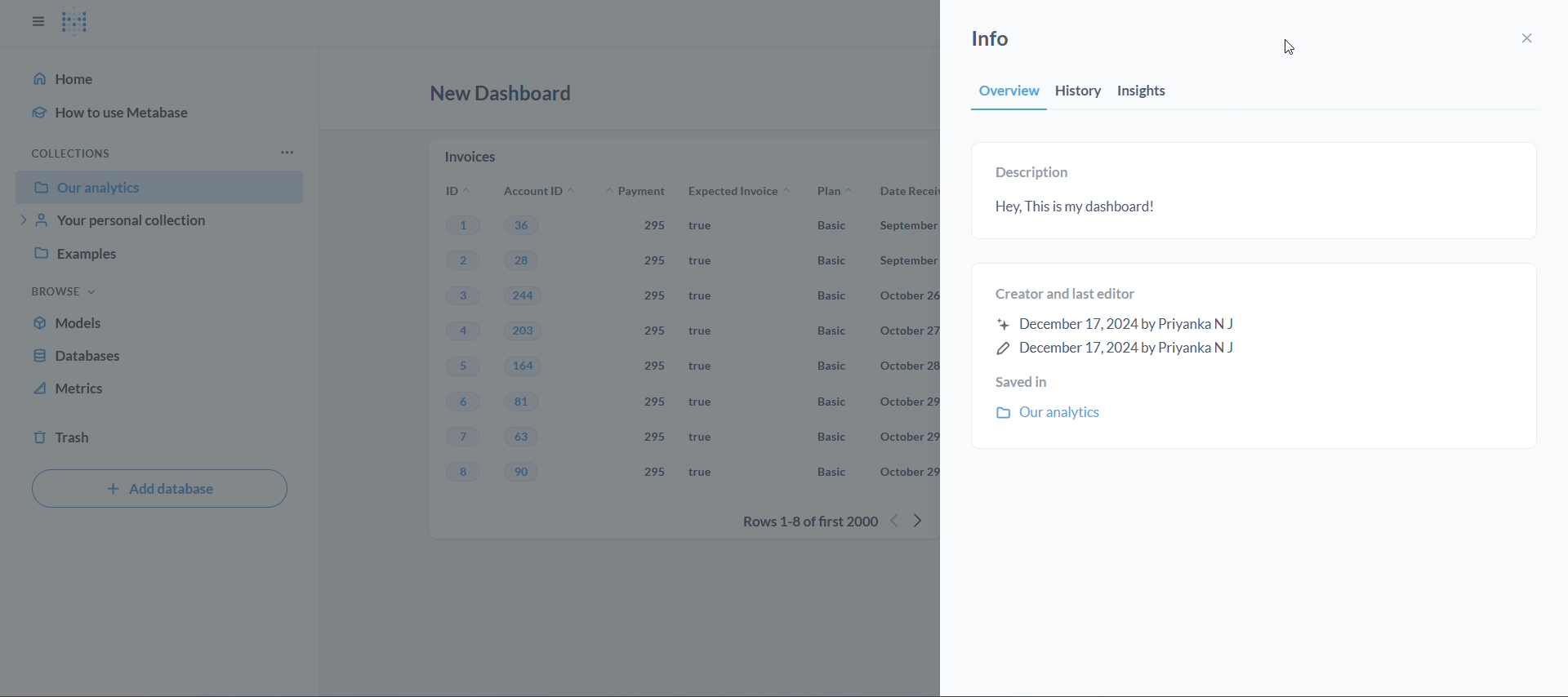  Describe the element at coordinates (905, 366) in the screenshot. I see `october 28` at that location.